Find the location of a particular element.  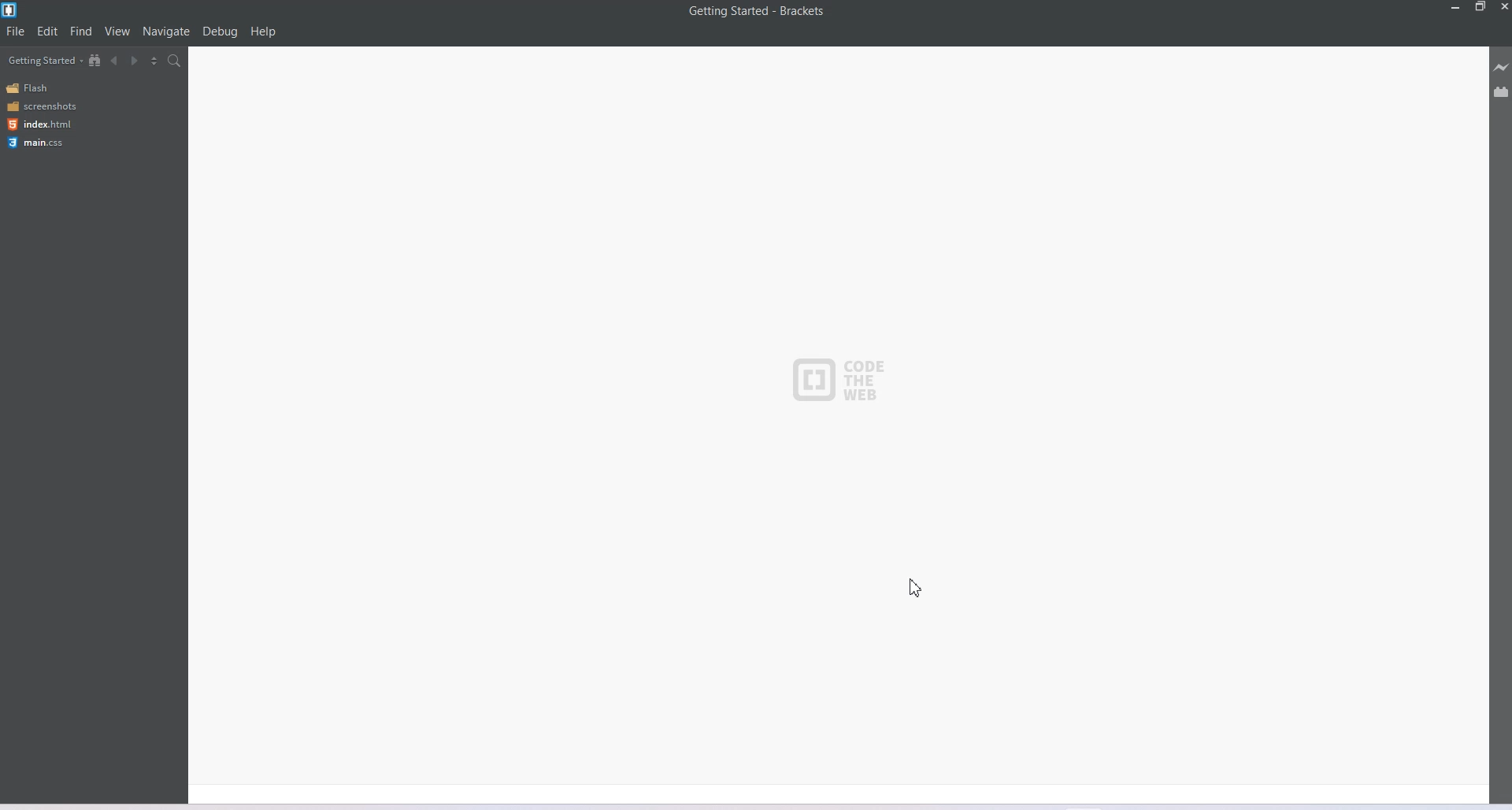

index.html is located at coordinates (39, 124).